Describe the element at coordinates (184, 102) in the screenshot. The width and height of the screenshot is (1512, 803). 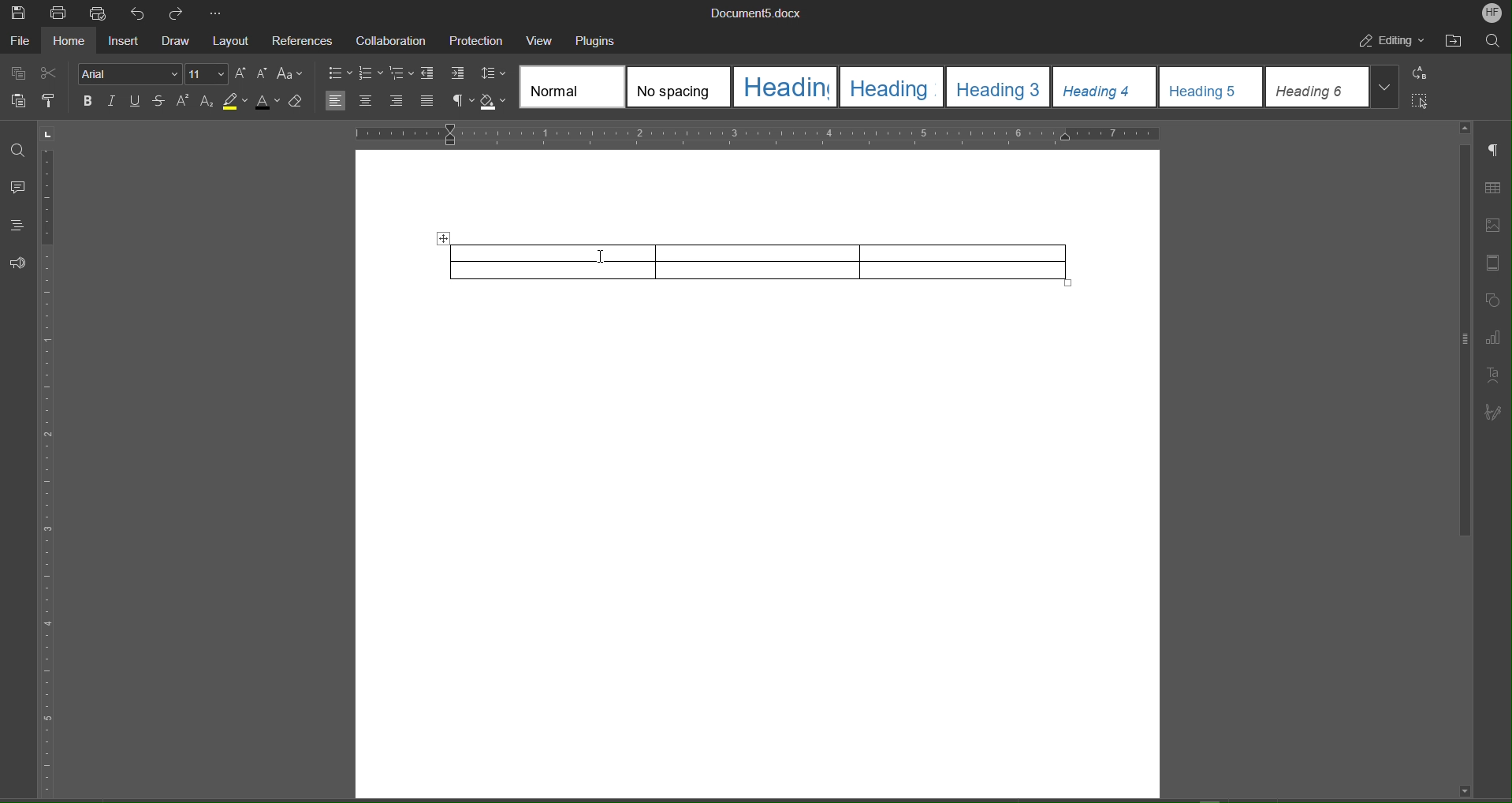
I see `Superscript` at that location.